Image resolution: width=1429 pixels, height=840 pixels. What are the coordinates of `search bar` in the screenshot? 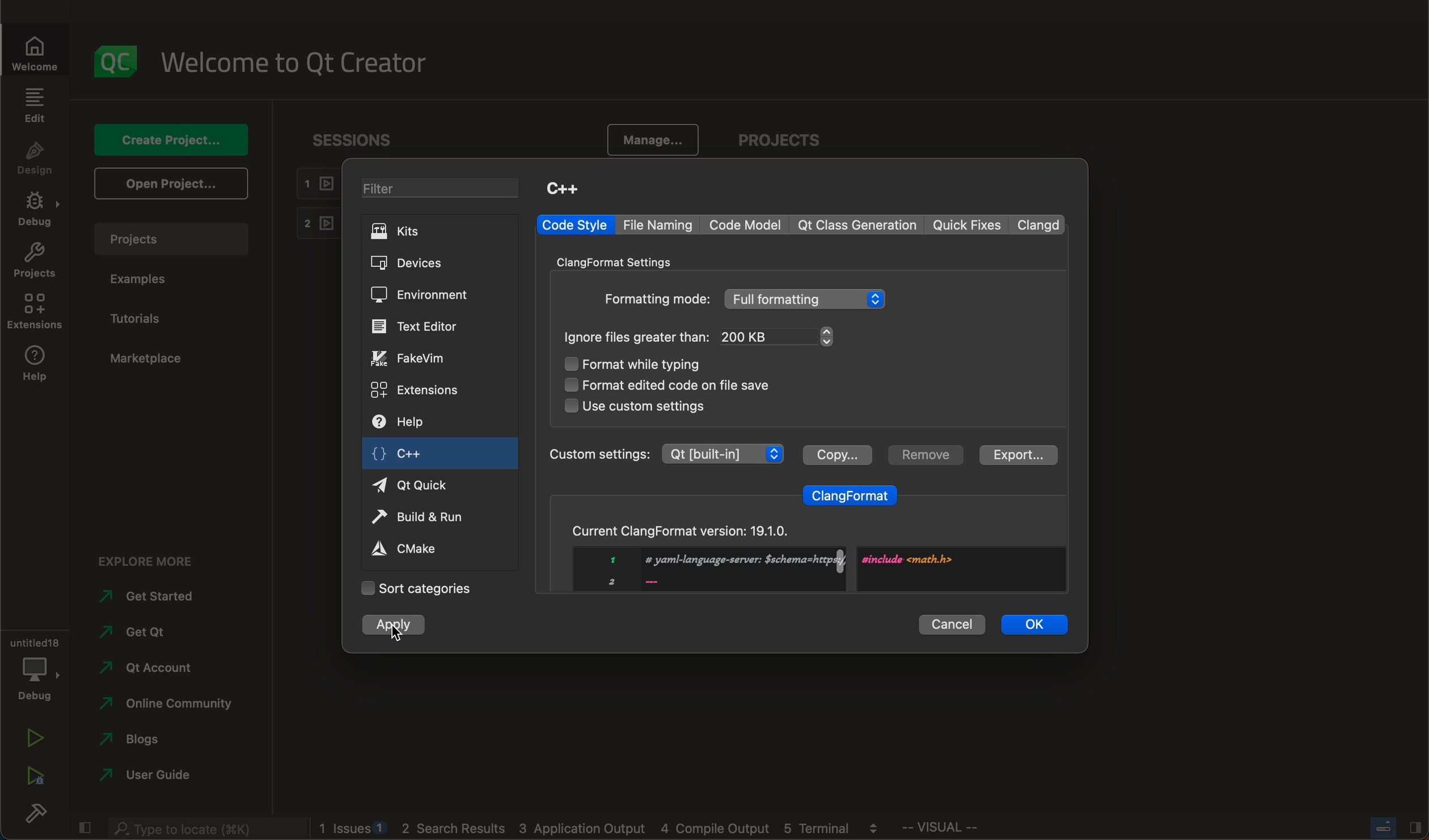 It's located at (204, 826).